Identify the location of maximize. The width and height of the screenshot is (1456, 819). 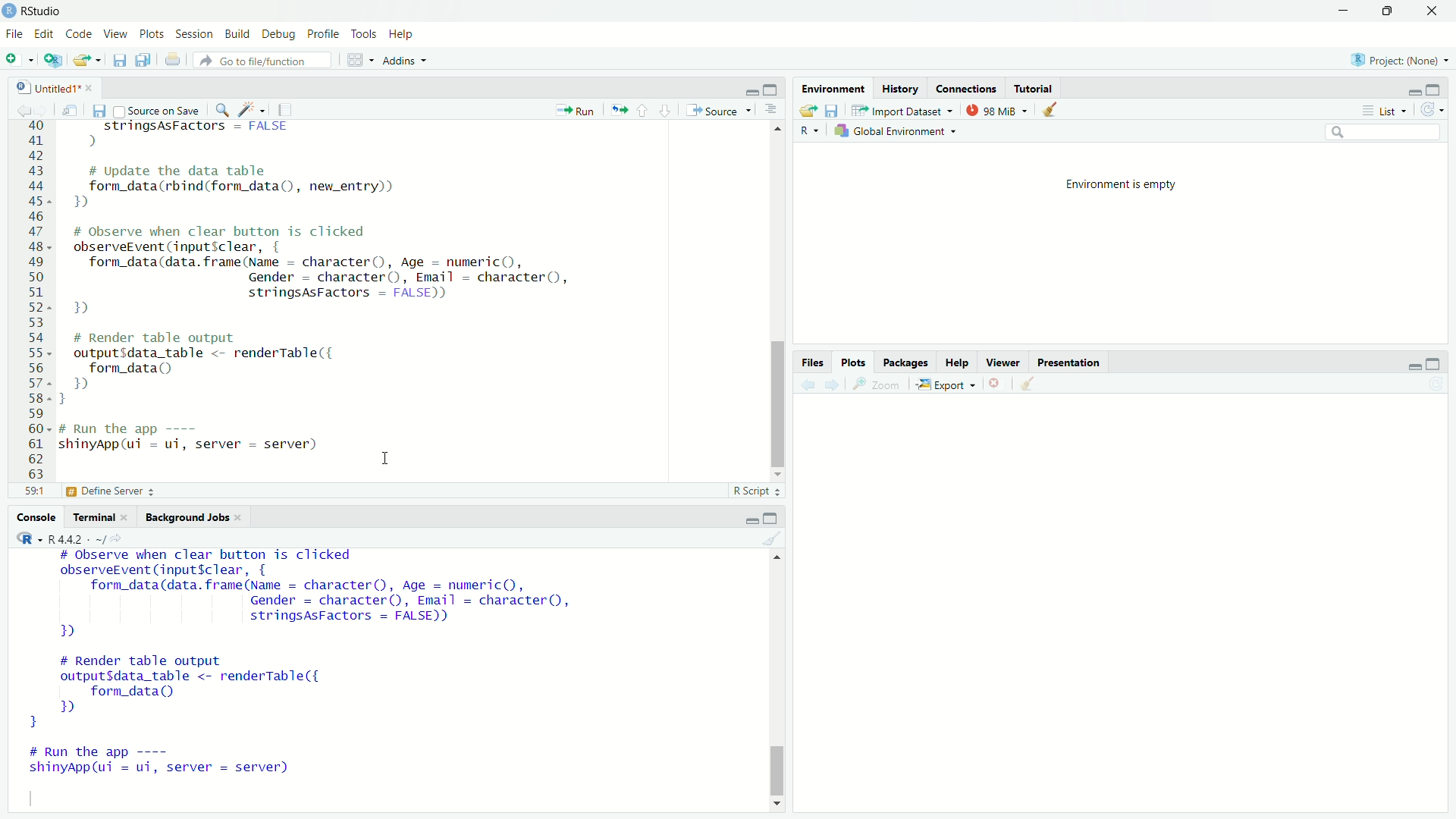
(1392, 11).